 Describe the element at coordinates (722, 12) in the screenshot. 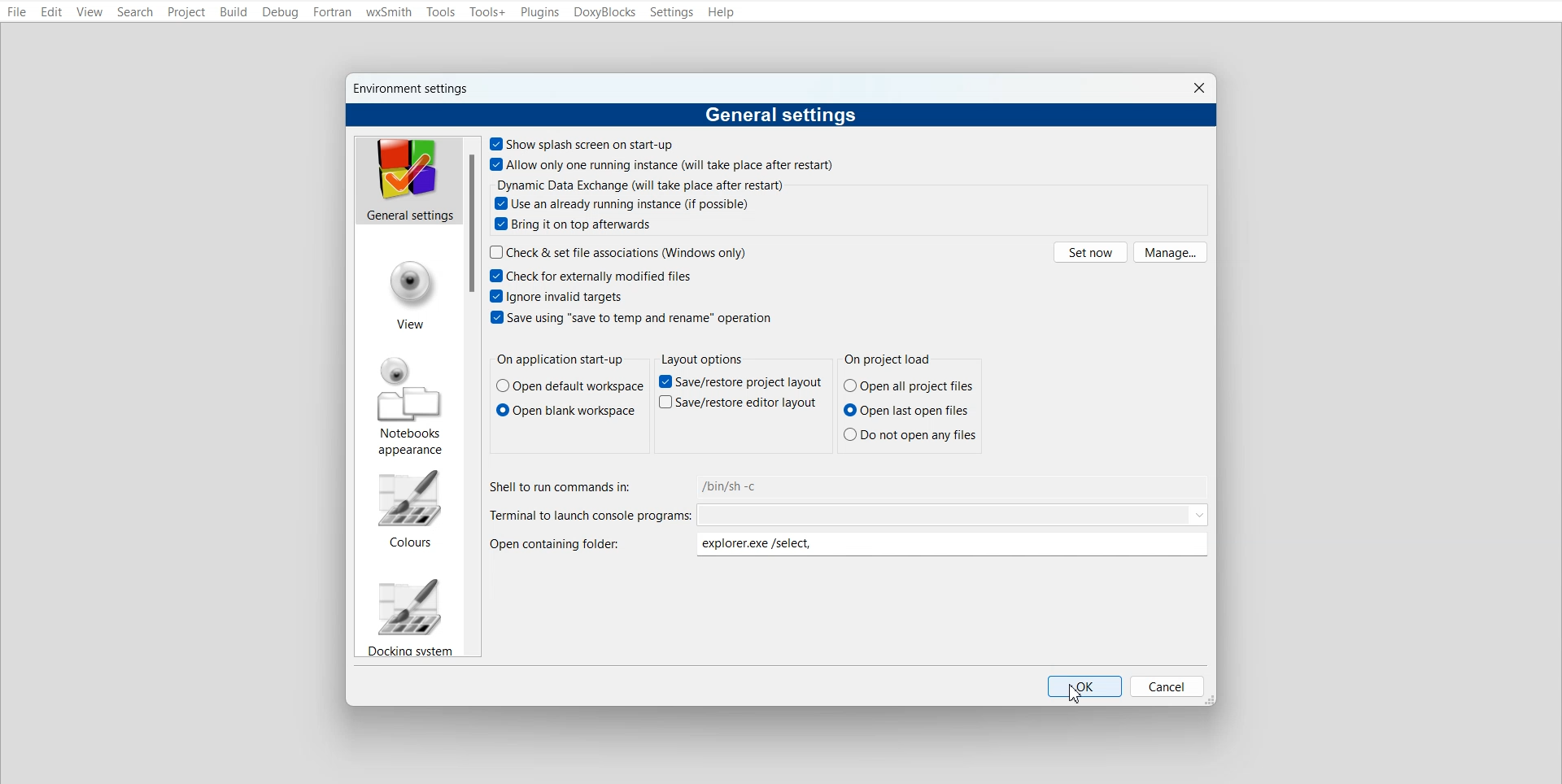

I see `Help` at that location.